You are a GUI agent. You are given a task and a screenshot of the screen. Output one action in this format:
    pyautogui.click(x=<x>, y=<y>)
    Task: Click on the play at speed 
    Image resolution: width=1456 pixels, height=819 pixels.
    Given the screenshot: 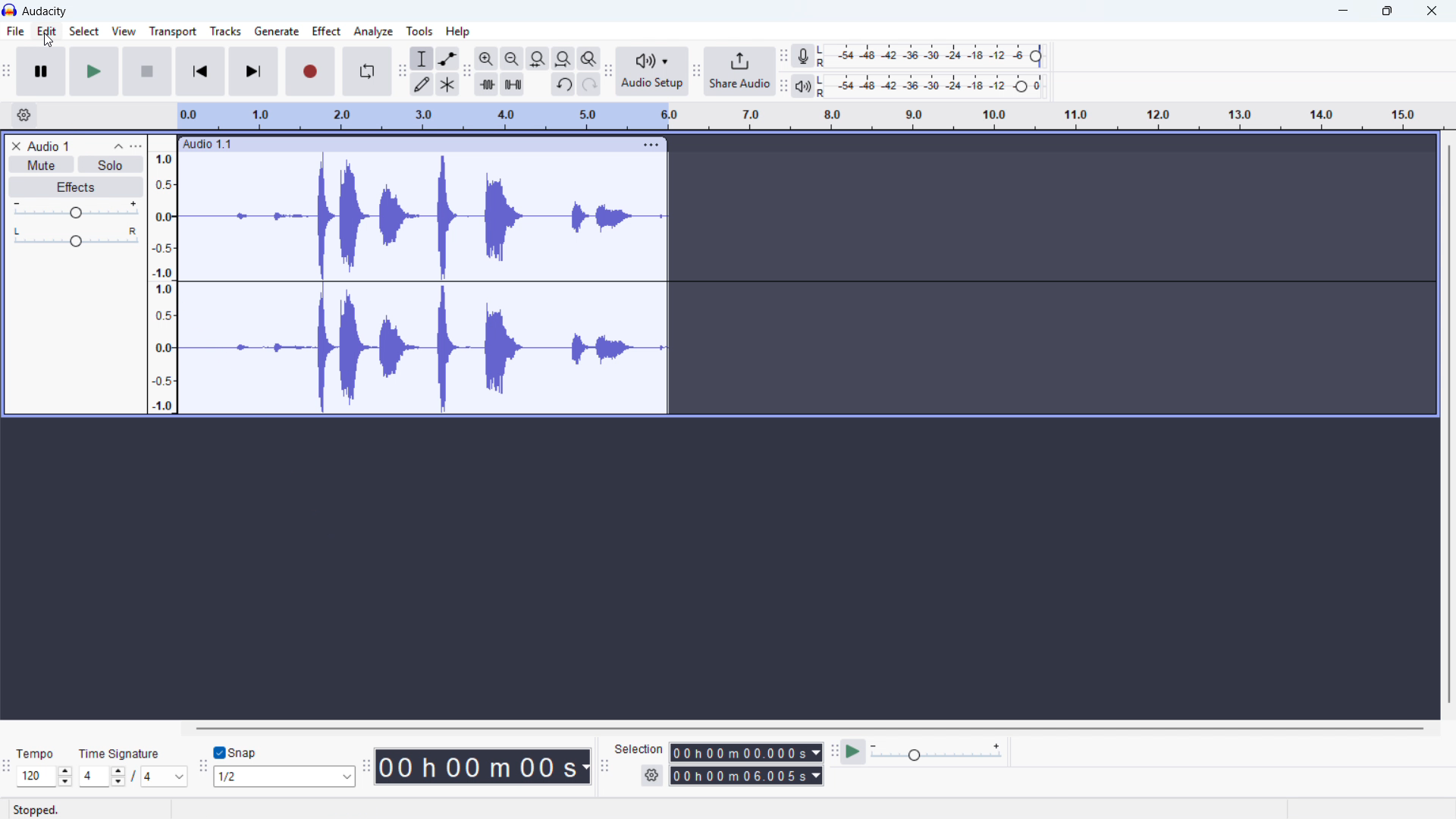 What is the action you would take?
    pyautogui.click(x=853, y=753)
    